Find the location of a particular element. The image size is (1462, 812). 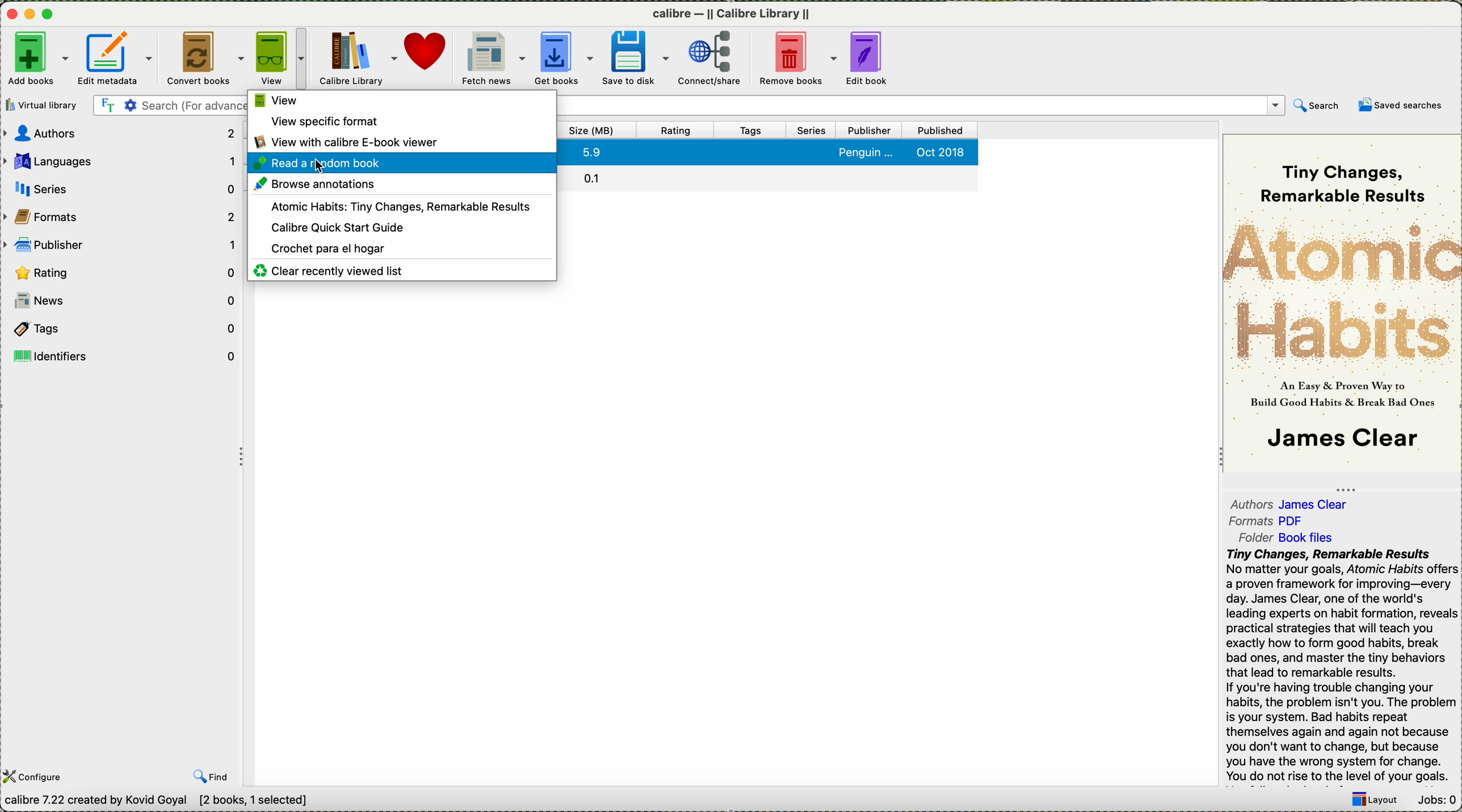

Authors James Clear is located at coordinates (1292, 502).